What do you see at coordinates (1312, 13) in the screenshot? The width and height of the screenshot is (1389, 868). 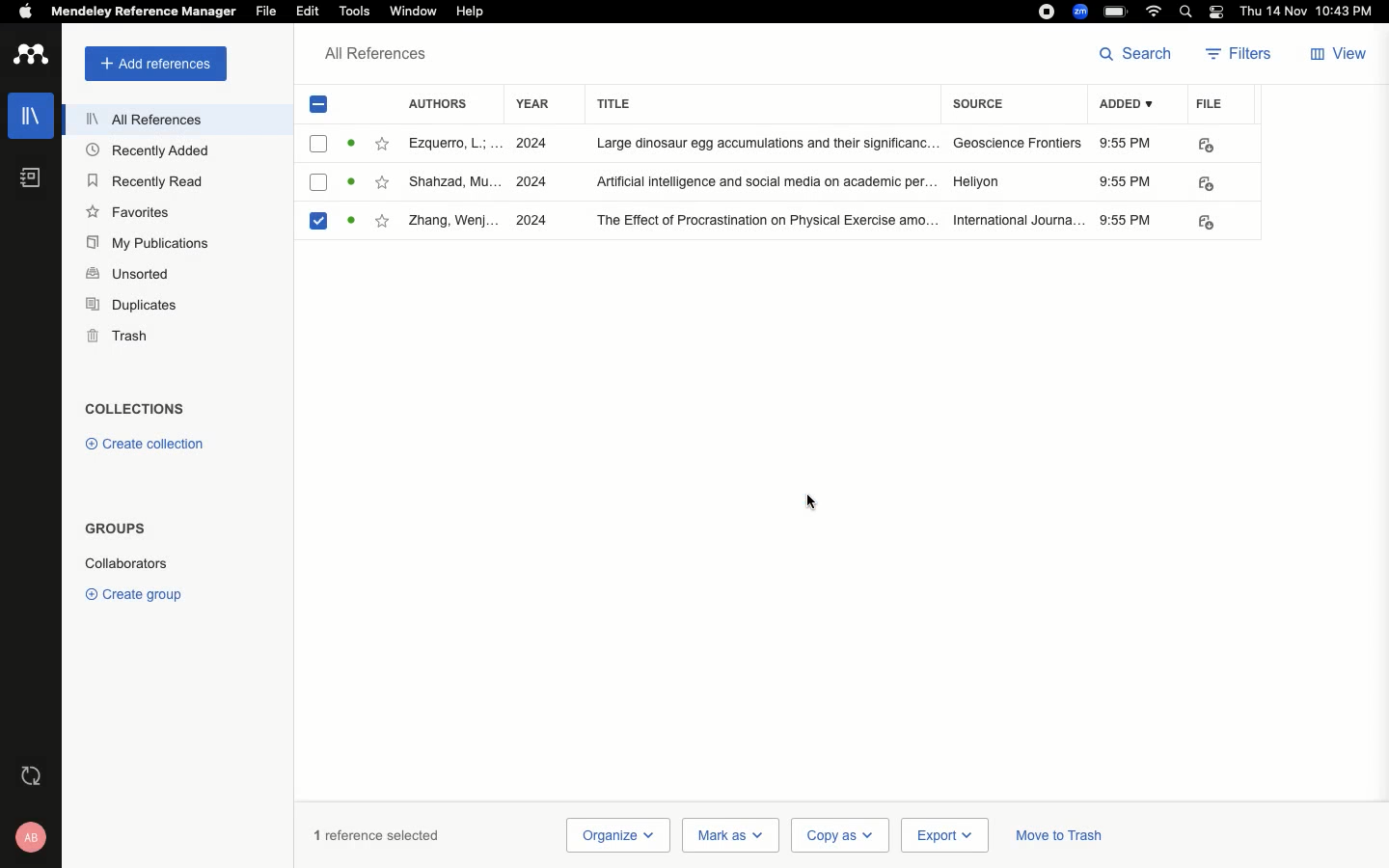 I see `Date/time` at bounding box center [1312, 13].